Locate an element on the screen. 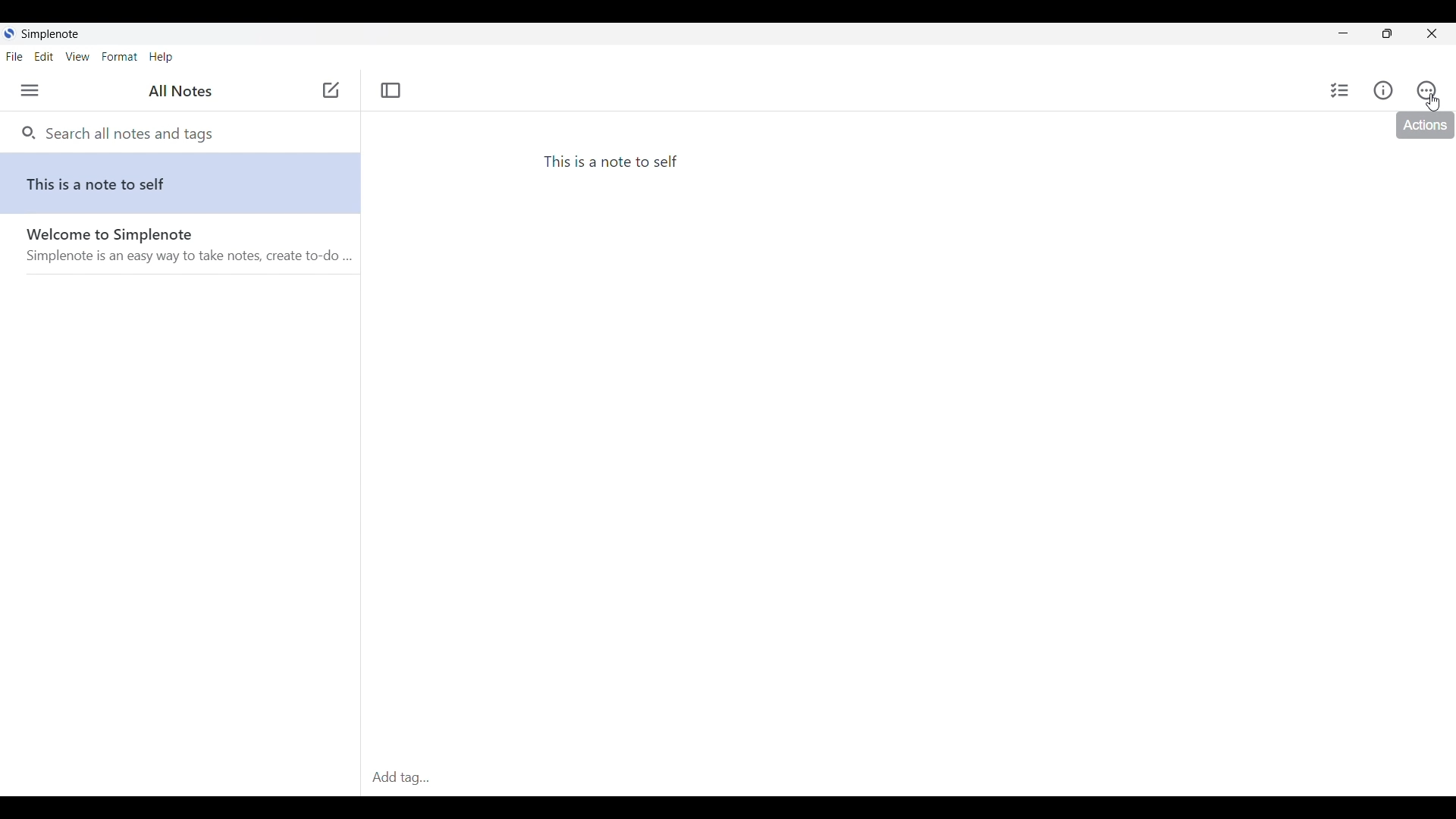 This screenshot has height=819, width=1456. Close is located at coordinates (1431, 33).